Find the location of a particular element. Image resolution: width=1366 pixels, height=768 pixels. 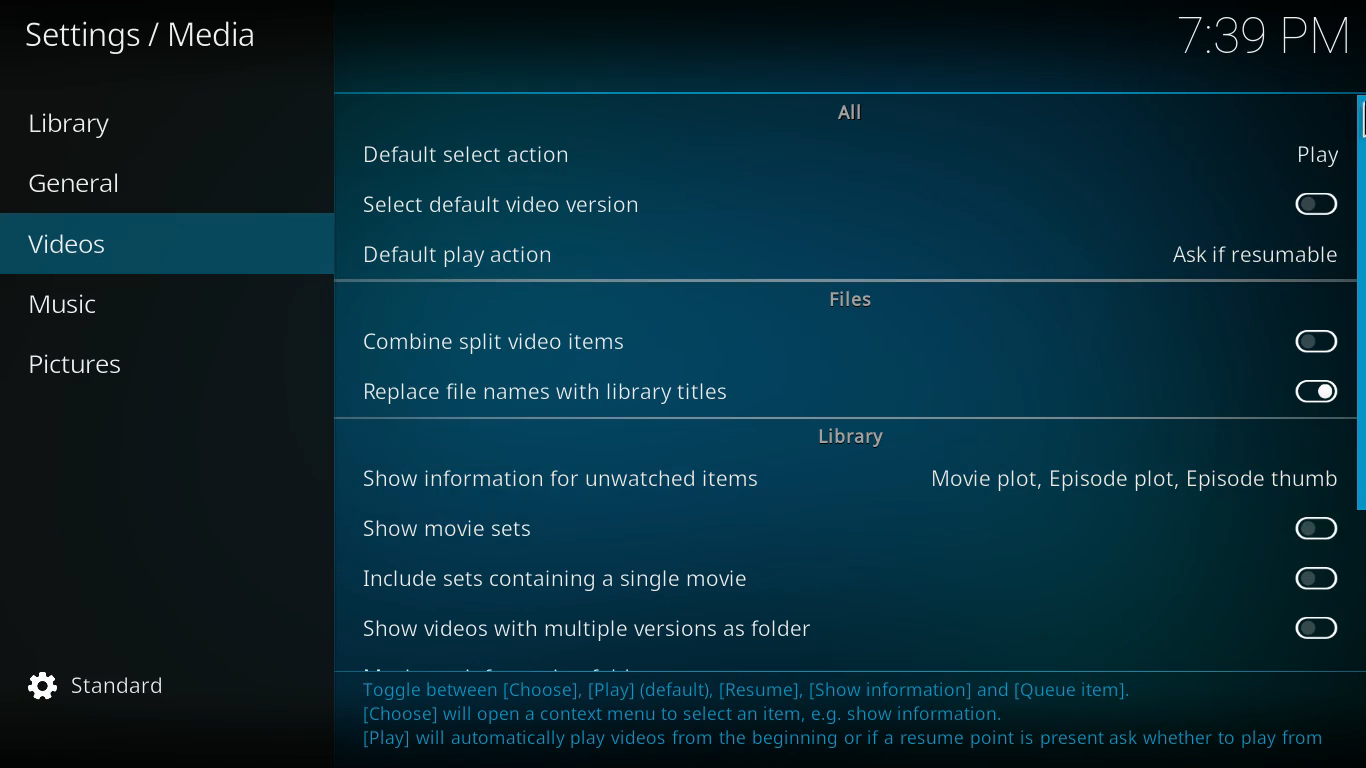

Library is located at coordinates (89, 125).